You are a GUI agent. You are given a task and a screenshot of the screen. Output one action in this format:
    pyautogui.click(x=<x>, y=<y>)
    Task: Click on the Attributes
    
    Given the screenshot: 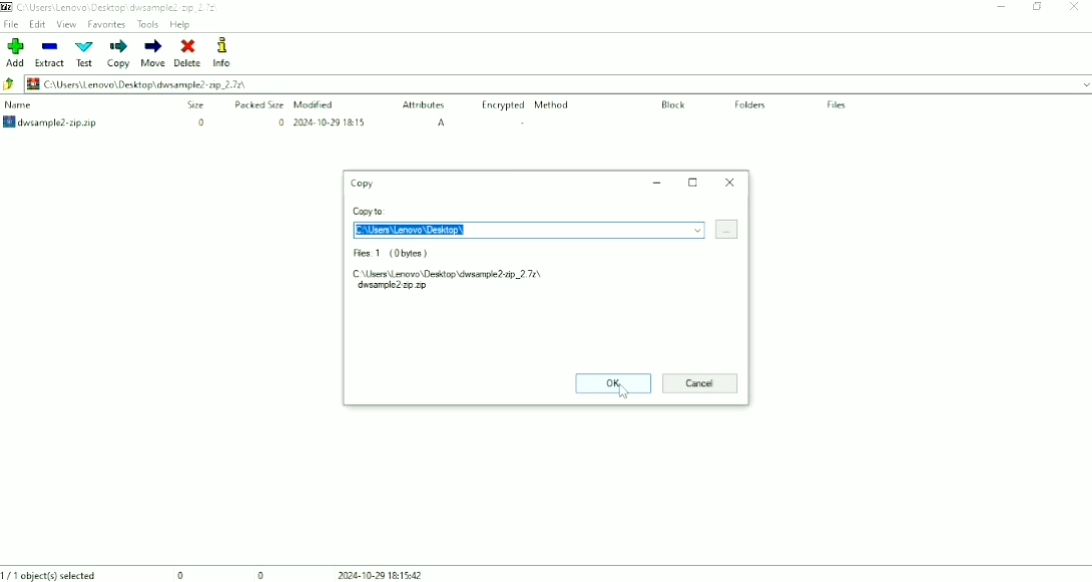 What is the action you would take?
    pyautogui.click(x=425, y=106)
    